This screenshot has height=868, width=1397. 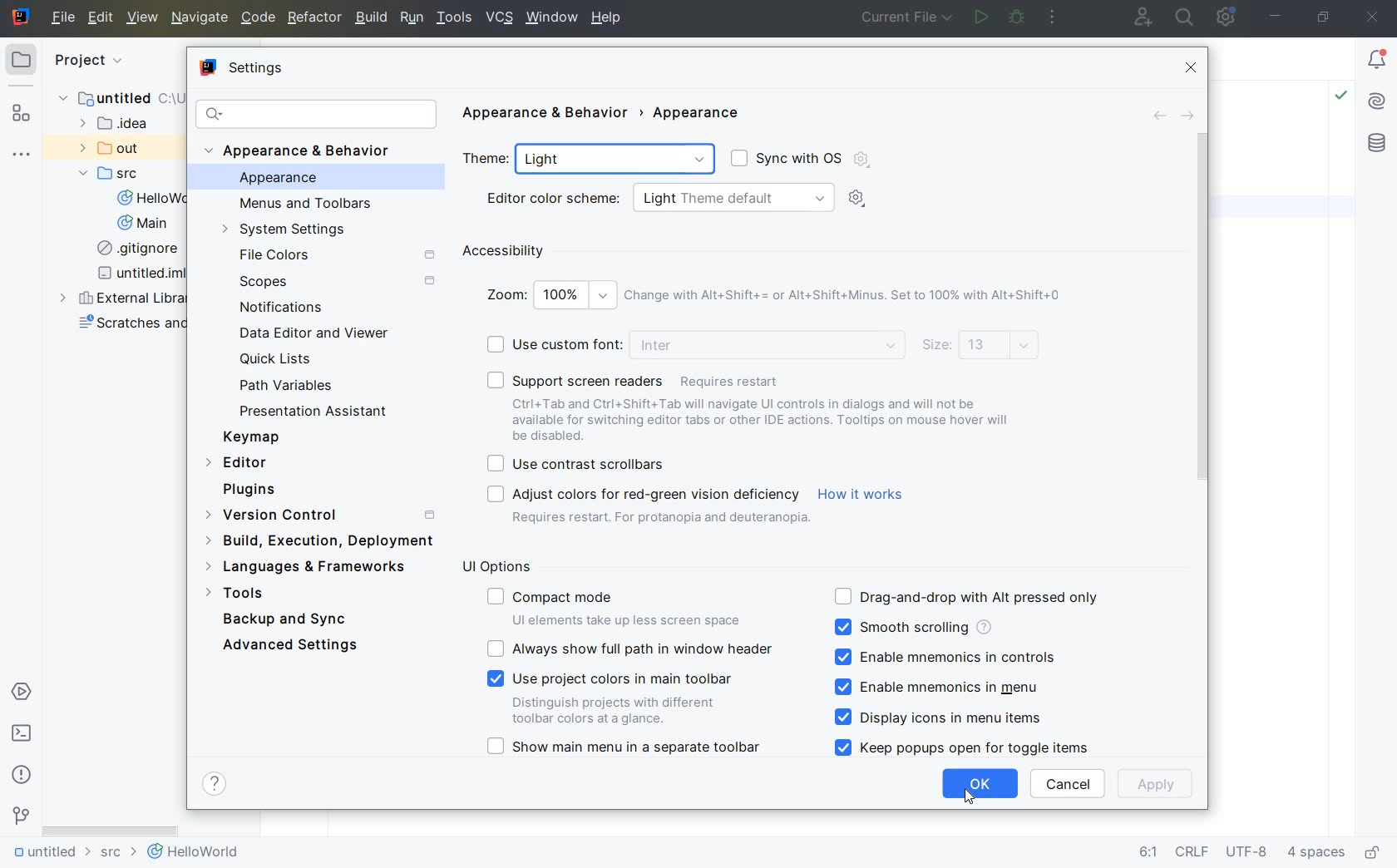 What do you see at coordinates (1187, 116) in the screenshot?
I see `FORWARD` at bounding box center [1187, 116].